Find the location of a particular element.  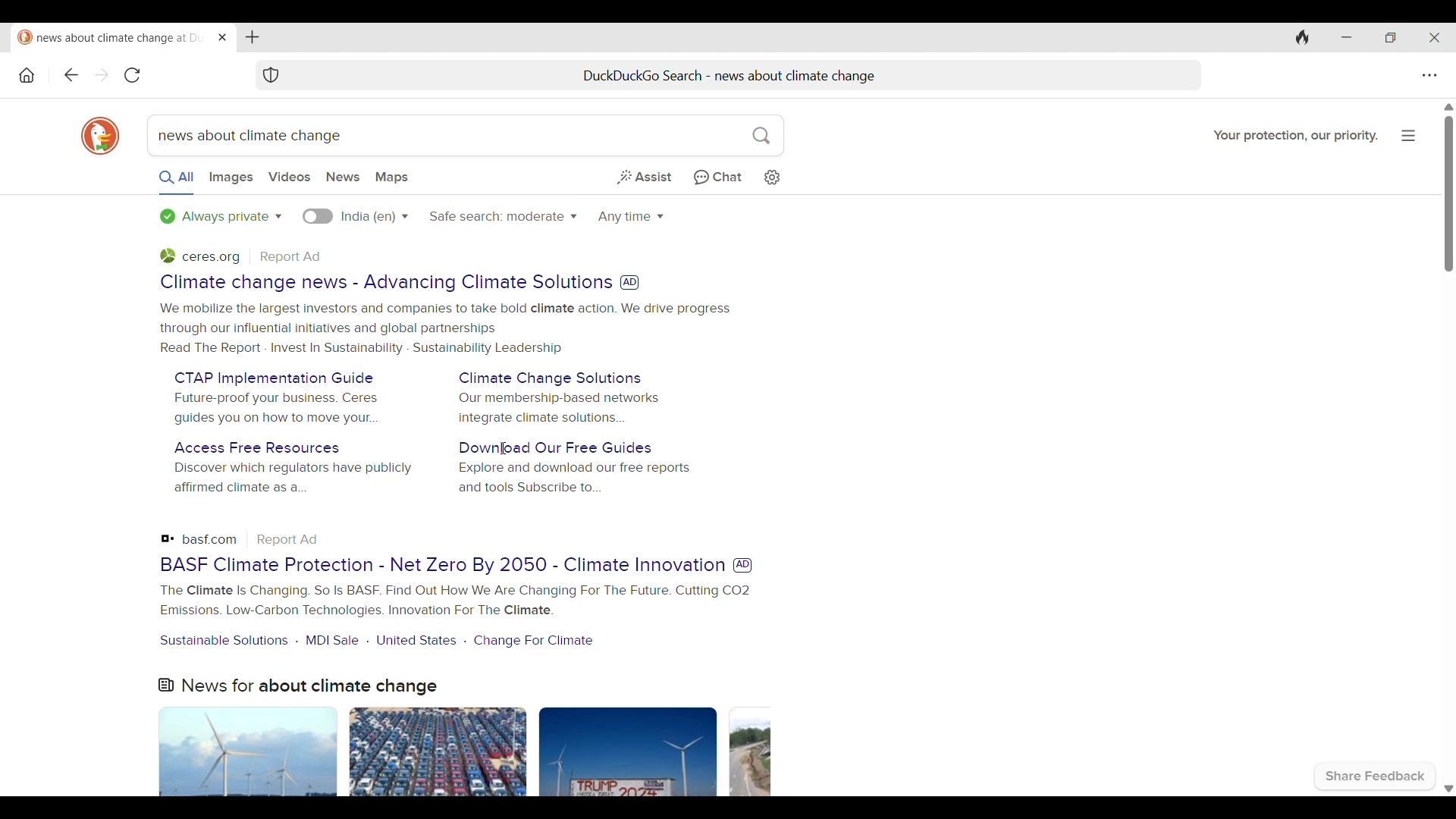

Basf climate protection - net zero by 2050 - climate innovation is located at coordinates (441, 565).